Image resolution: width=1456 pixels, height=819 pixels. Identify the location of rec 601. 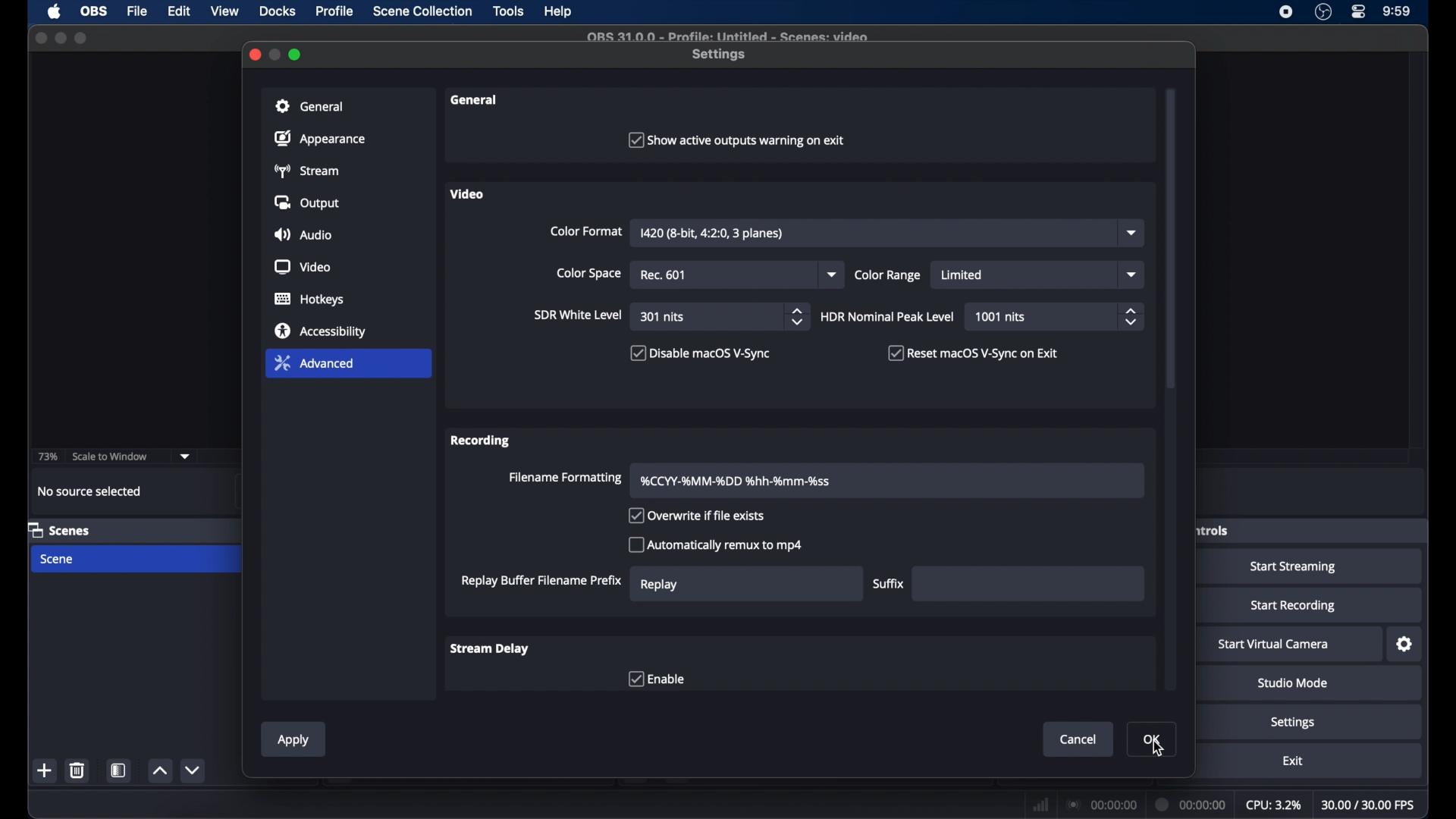
(663, 275).